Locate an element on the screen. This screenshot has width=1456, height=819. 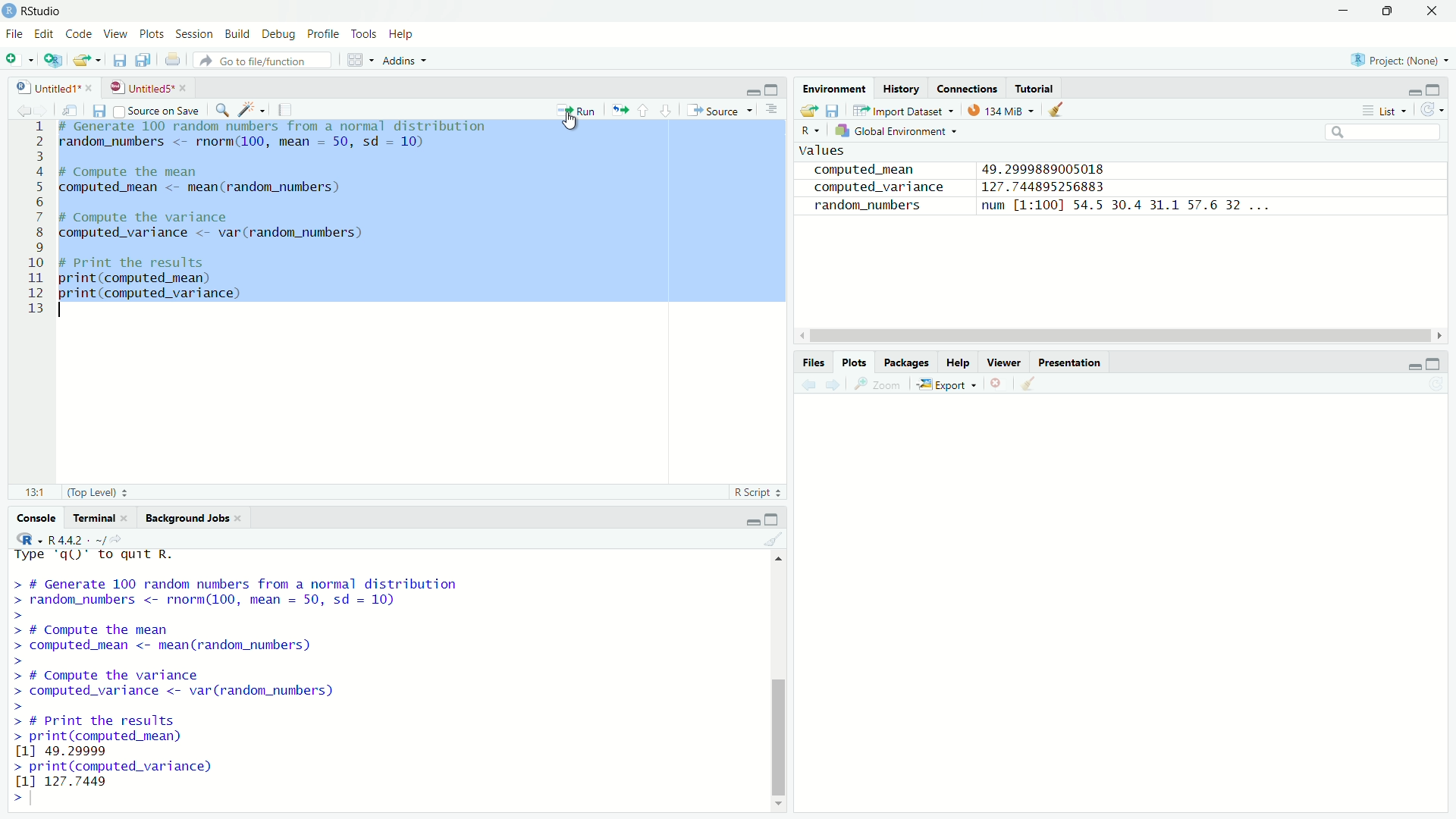
debug is located at coordinates (278, 33).